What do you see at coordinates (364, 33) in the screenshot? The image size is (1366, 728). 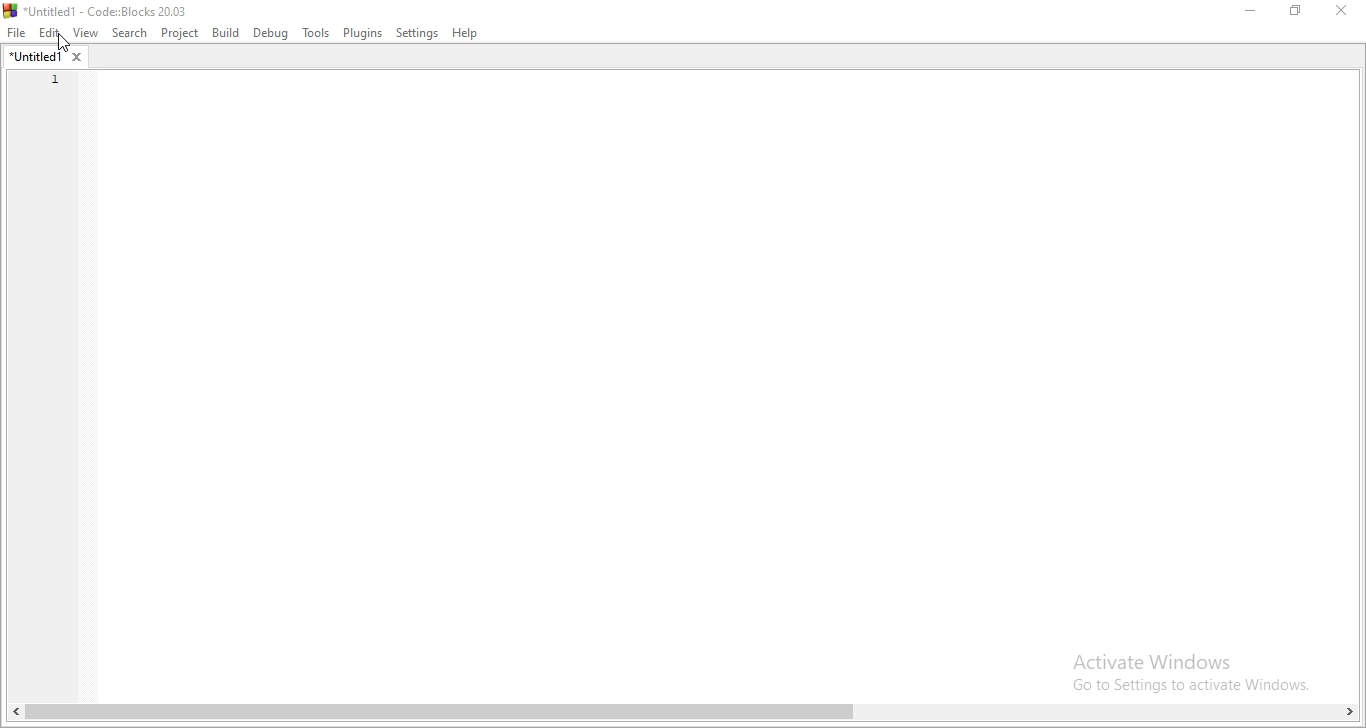 I see `Plugins ` at bounding box center [364, 33].